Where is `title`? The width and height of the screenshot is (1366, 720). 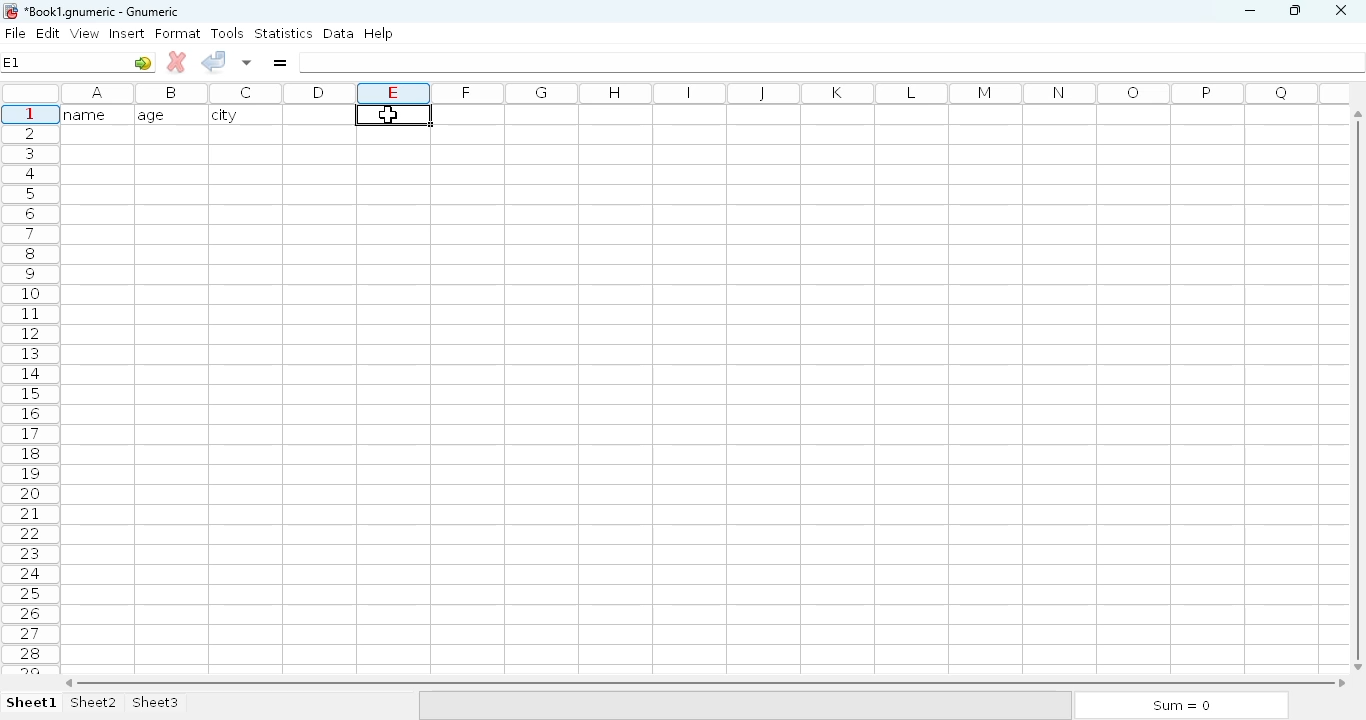
title is located at coordinates (103, 12).